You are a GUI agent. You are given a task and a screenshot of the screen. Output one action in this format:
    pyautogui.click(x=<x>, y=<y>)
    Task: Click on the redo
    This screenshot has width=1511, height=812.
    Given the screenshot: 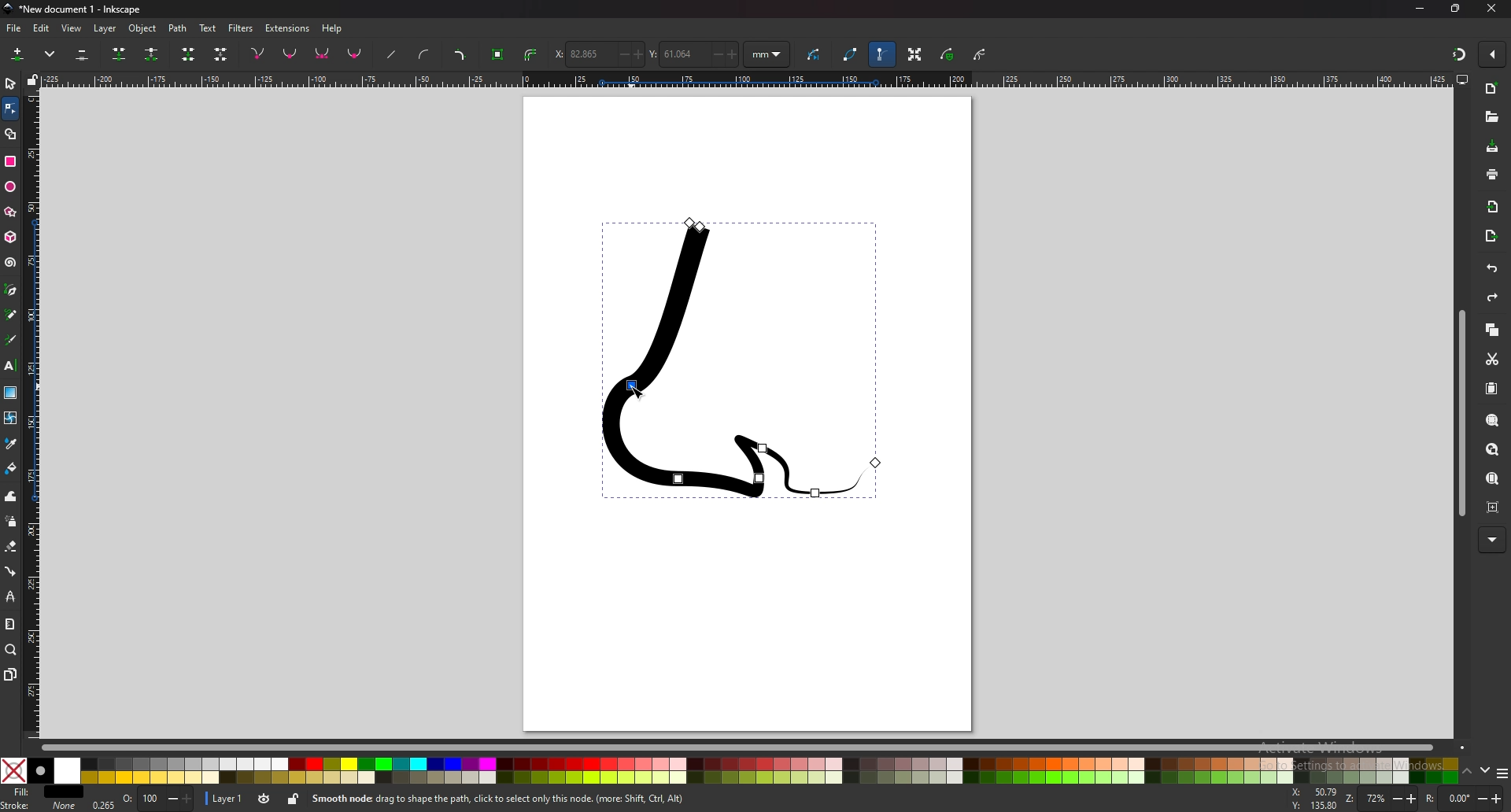 What is the action you would take?
    pyautogui.click(x=1490, y=299)
    